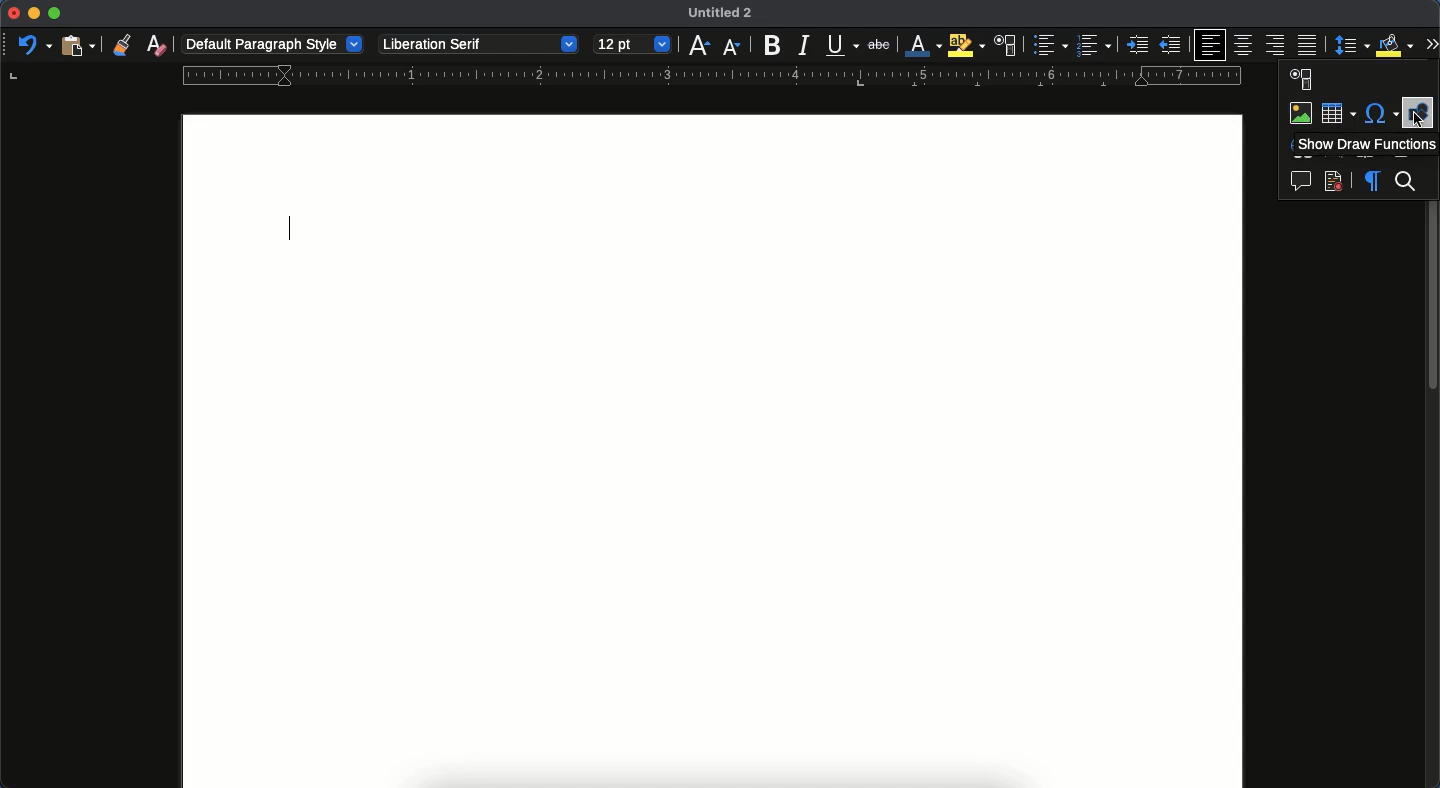 The image size is (1440, 788). I want to click on Liberation serif - font style, so click(476, 44).